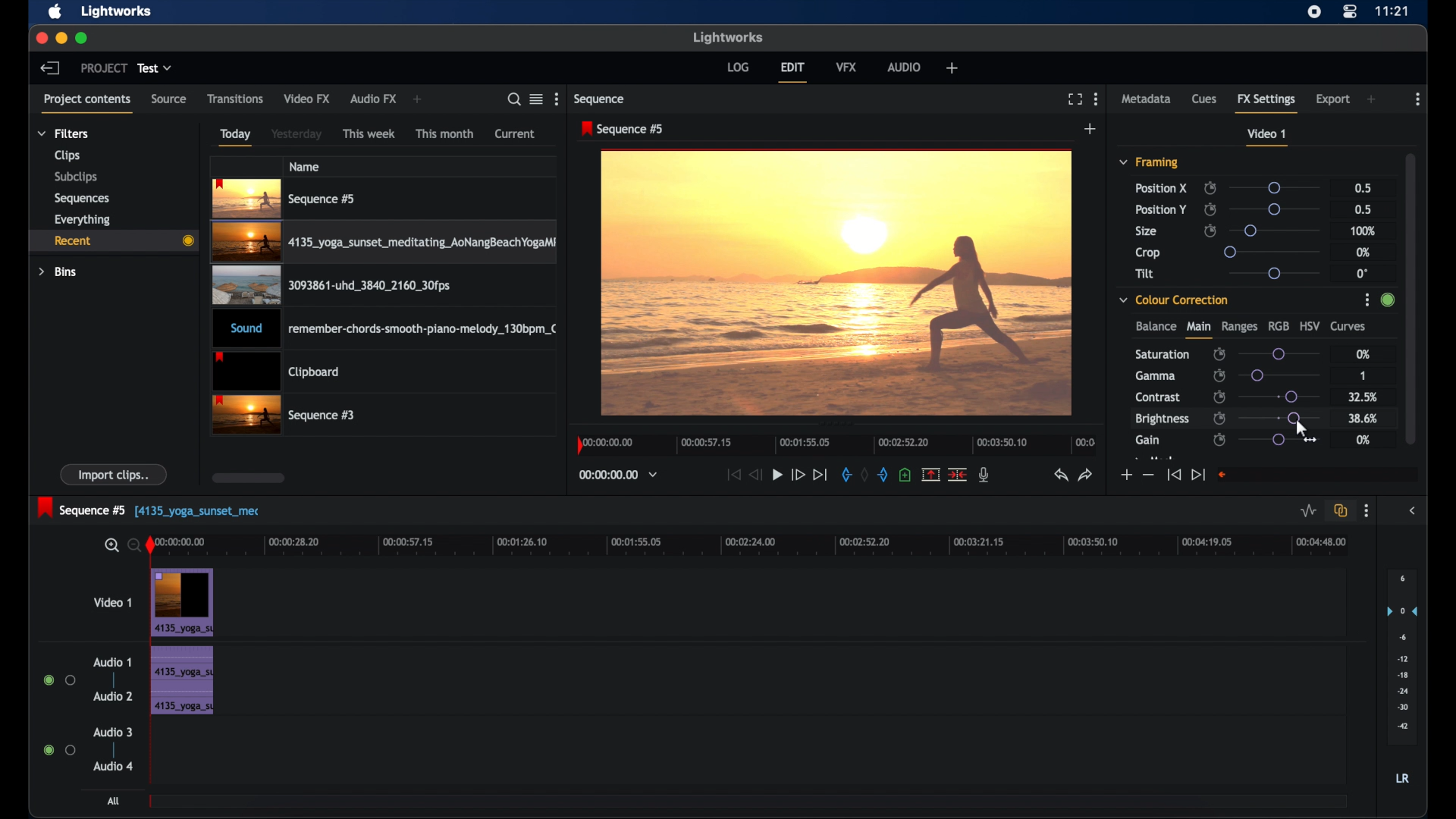 The width and height of the screenshot is (1456, 819). Describe the element at coordinates (959, 473) in the screenshot. I see `split` at that location.